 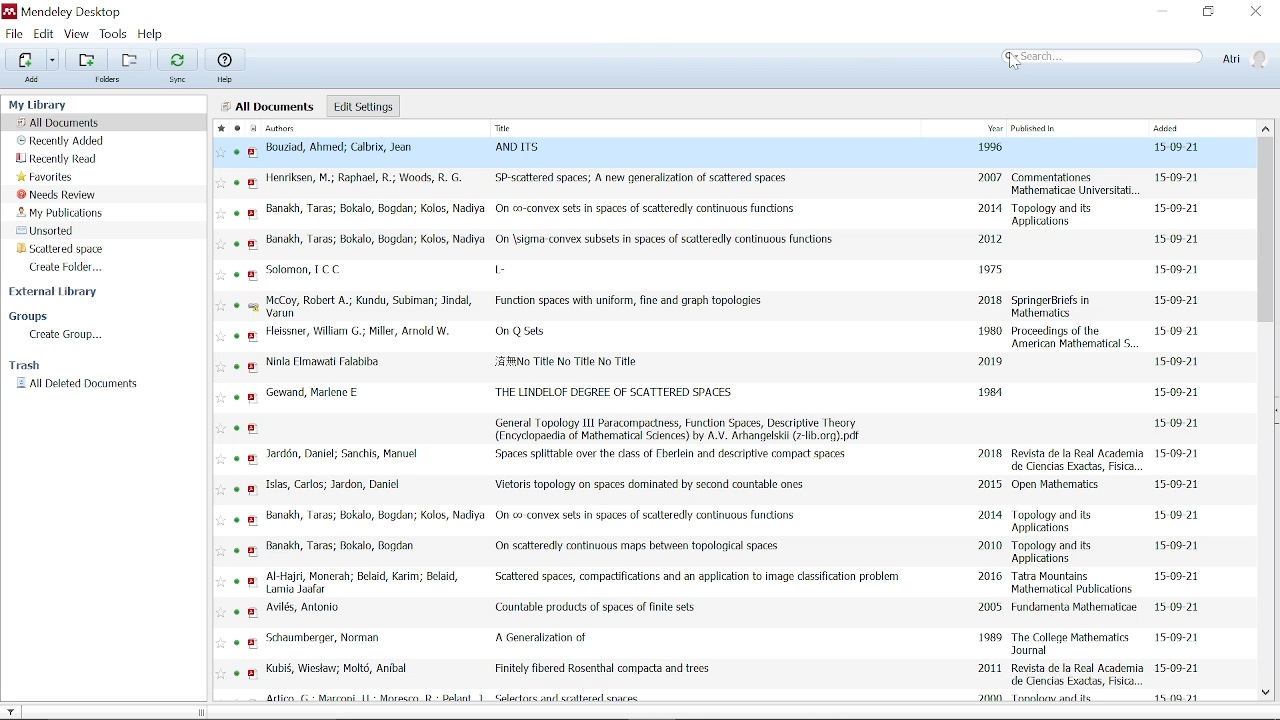 What do you see at coordinates (727, 337) in the screenshot?
I see `Heissner, William G.; Miller, Arnold W. On Q Sets 1980 Proceedings of the American Mathematical S. 15-09-21` at bounding box center [727, 337].